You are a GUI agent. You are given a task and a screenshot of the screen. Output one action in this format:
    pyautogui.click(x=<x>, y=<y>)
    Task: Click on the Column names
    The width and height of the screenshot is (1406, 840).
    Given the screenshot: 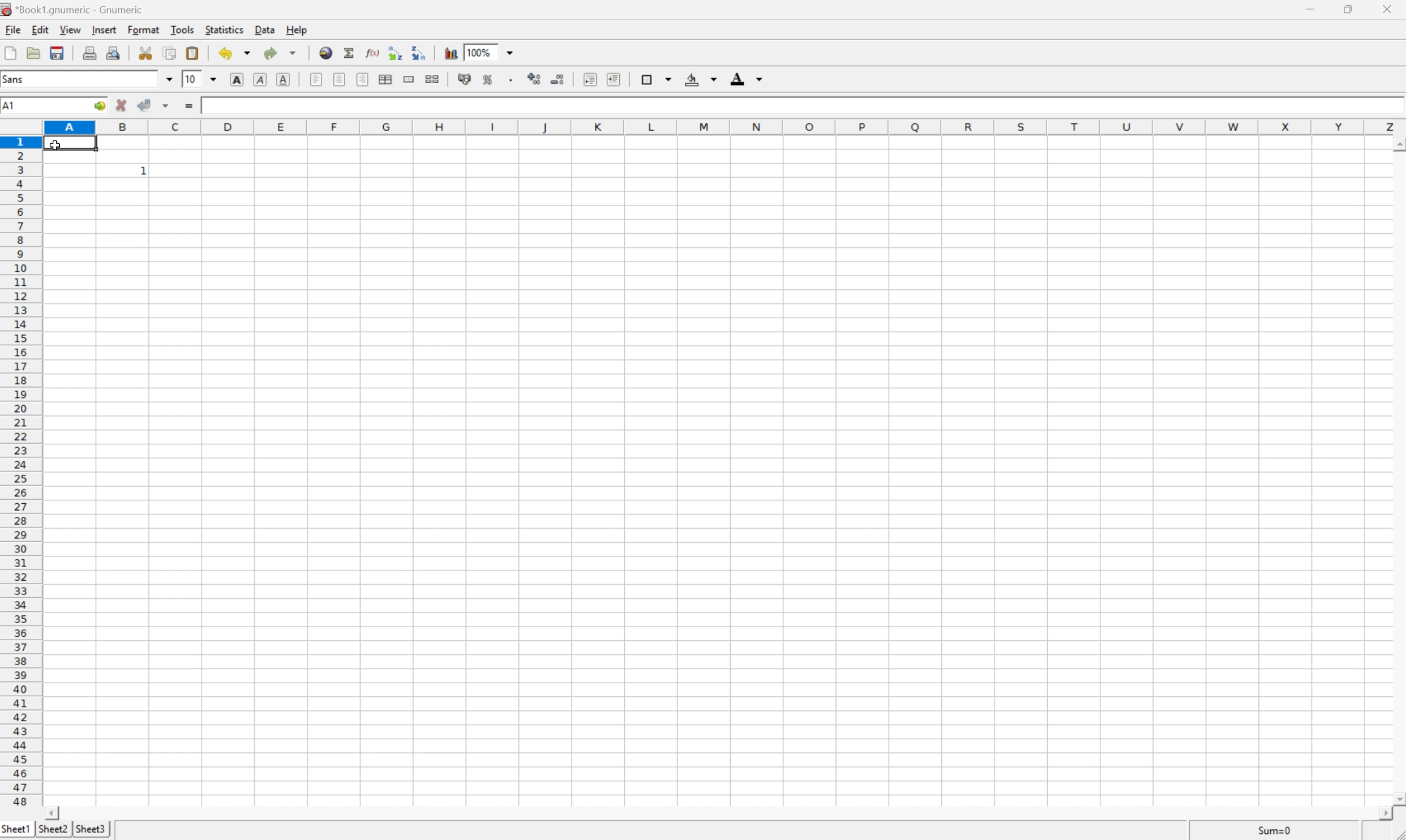 What is the action you would take?
    pyautogui.click(x=725, y=130)
    